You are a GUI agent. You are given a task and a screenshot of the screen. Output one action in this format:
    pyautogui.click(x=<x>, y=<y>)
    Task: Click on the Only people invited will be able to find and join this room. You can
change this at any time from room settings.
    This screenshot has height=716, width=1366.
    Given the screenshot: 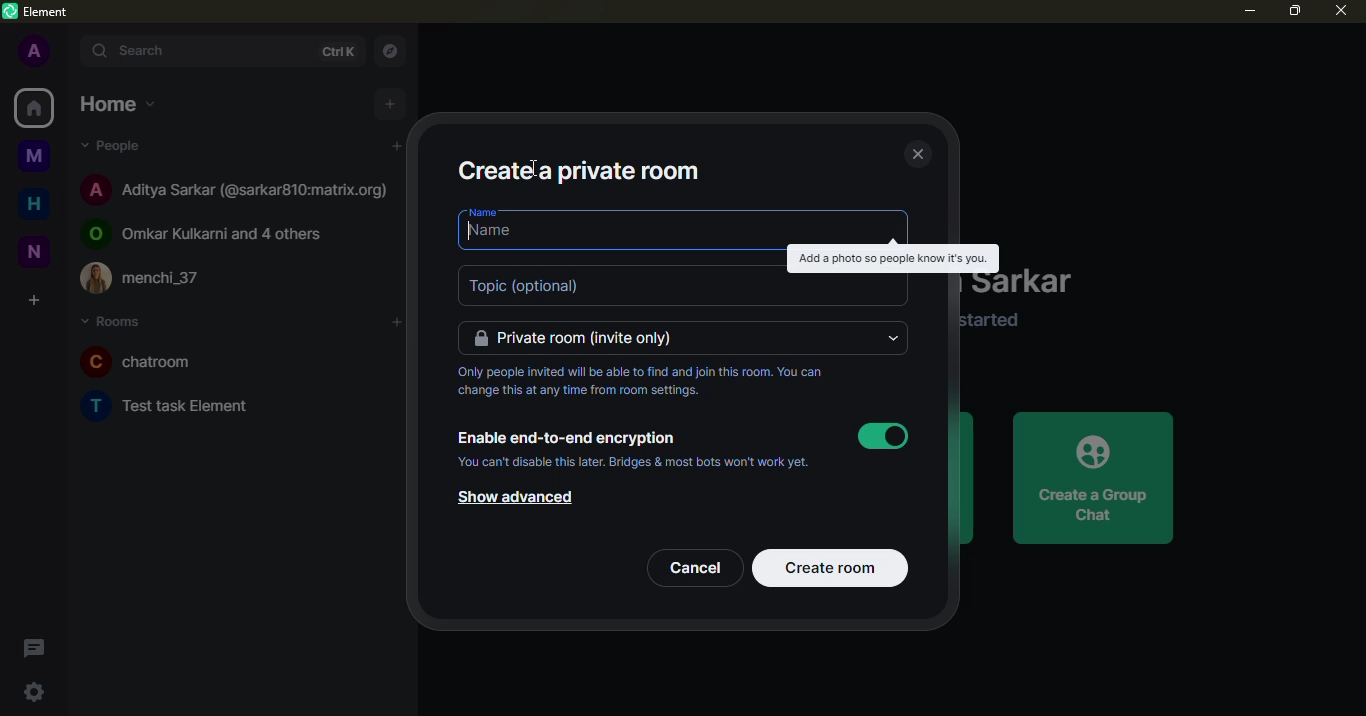 What is the action you would take?
    pyautogui.click(x=642, y=379)
    